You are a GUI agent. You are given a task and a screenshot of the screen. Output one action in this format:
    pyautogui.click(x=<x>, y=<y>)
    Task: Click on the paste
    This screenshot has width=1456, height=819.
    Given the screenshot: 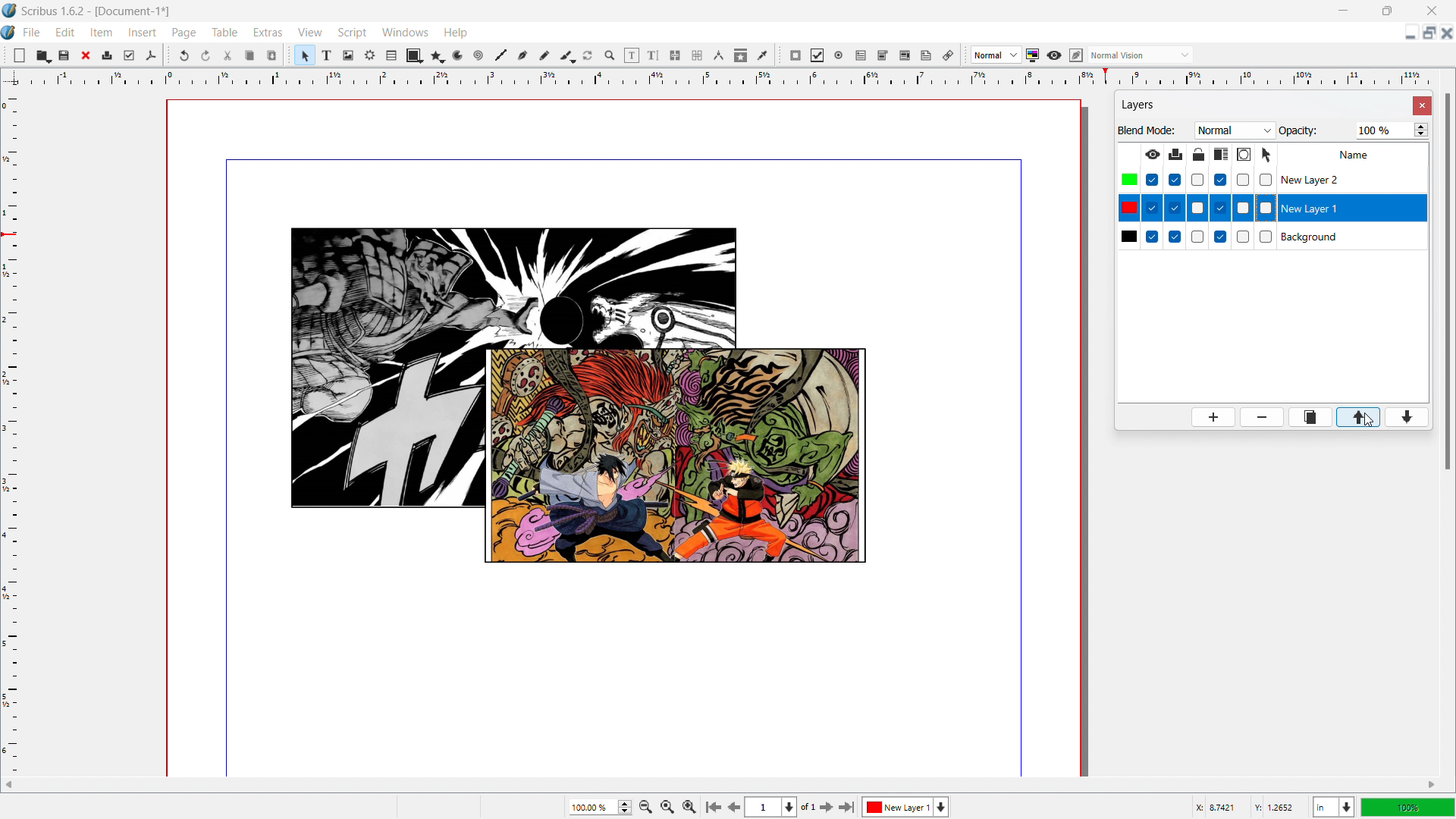 What is the action you would take?
    pyautogui.click(x=272, y=55)
    